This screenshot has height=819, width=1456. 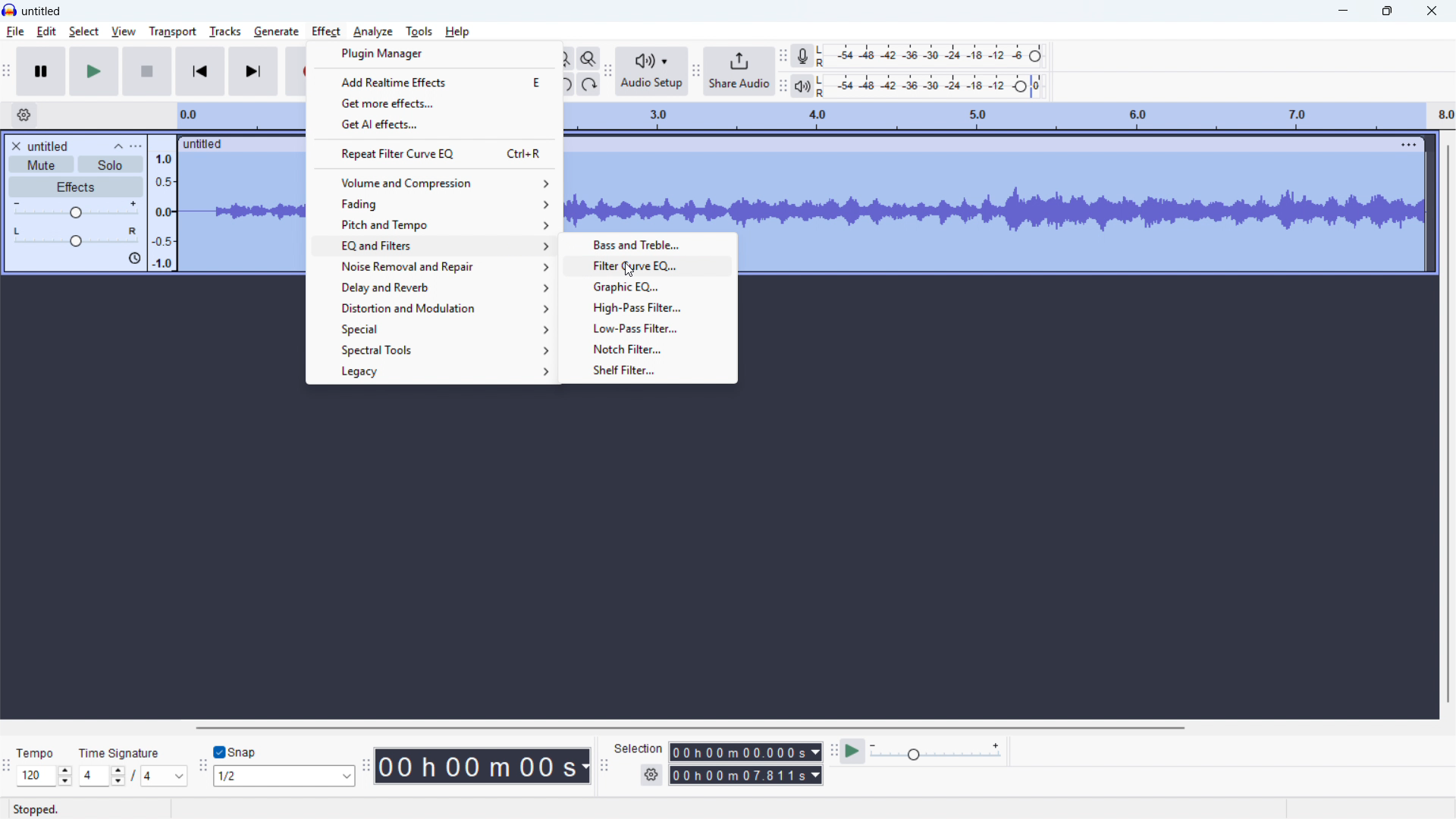 What do you see at coordinates (435, 54) in the screenshot?
I see `Plug in manager ` at bounding box center [435, 54].